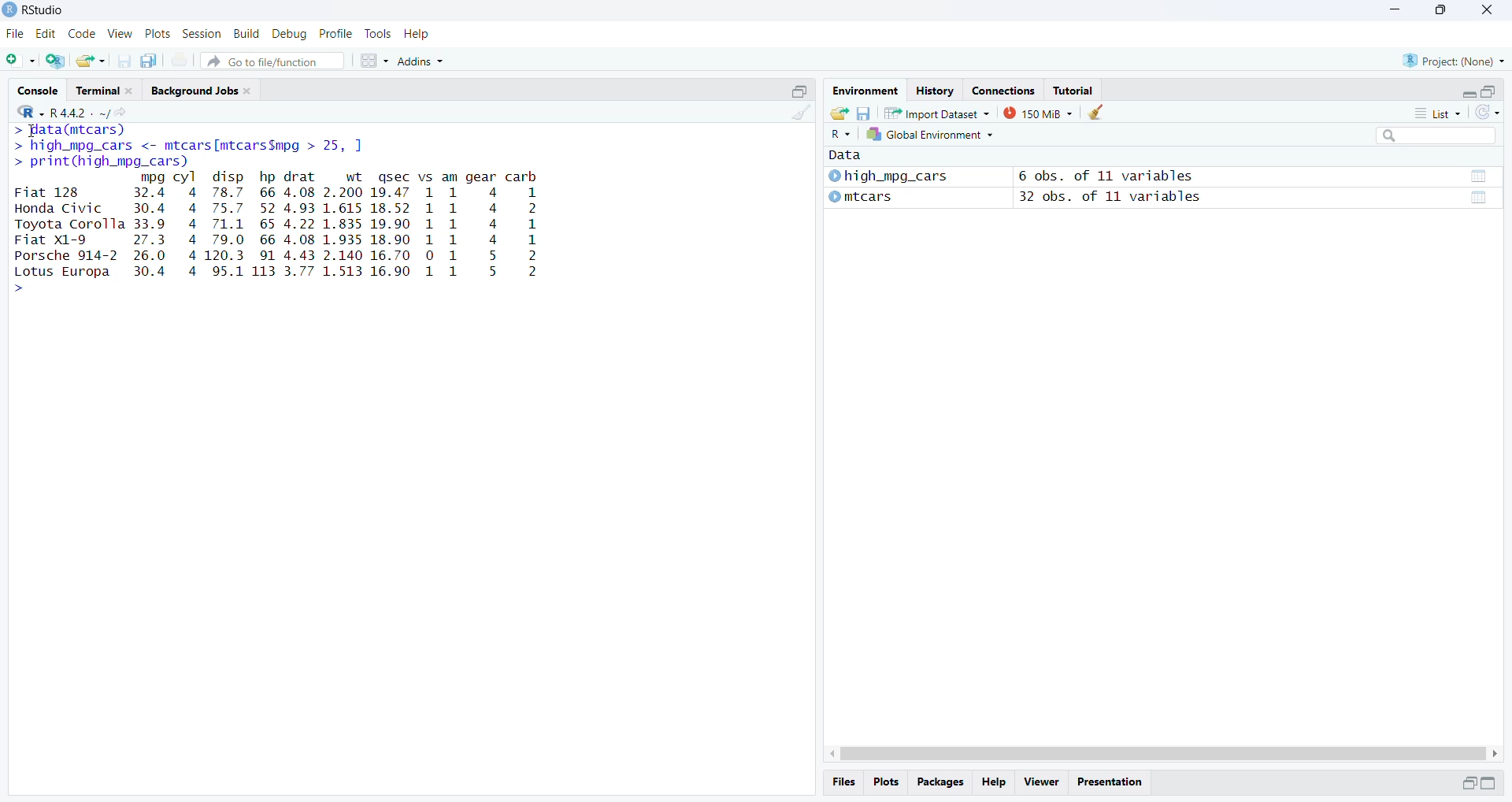 This screenshot has width=1512, height=802. Describe the element at coordinates (855, 154) in the screenshot. I see `data` at that location.